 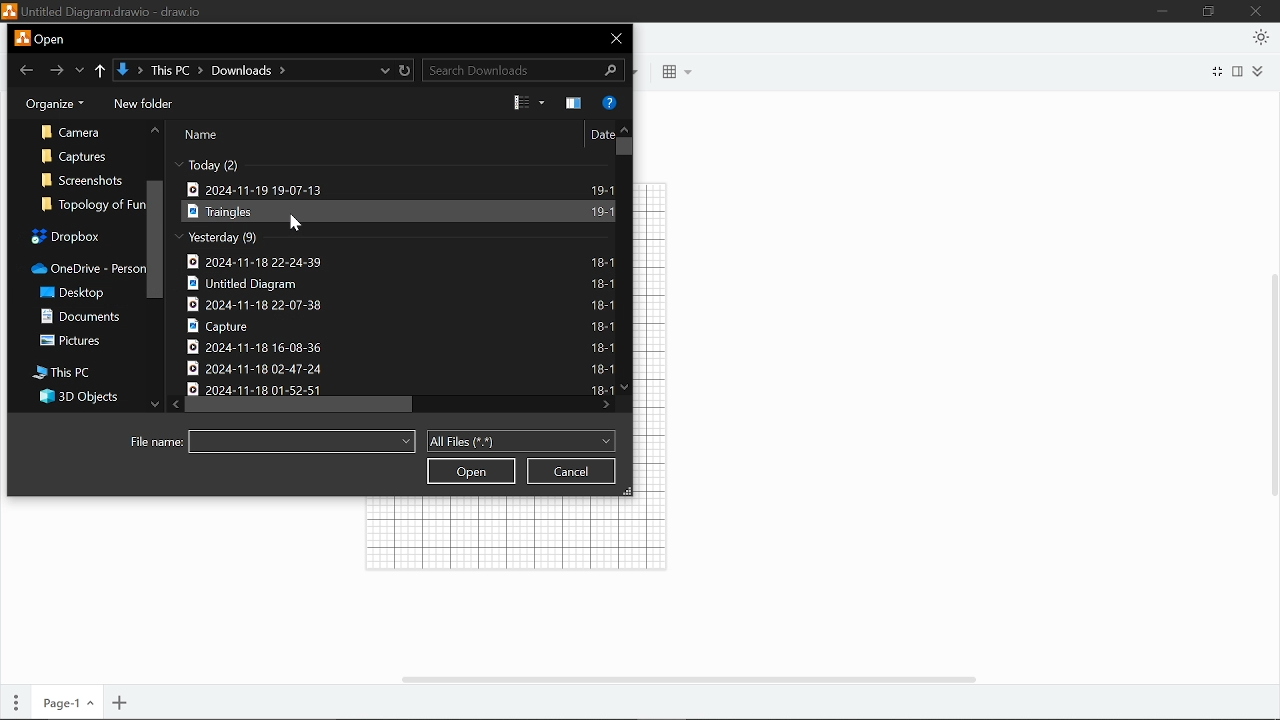 I want to click on format, so click(x=1239, y=74).